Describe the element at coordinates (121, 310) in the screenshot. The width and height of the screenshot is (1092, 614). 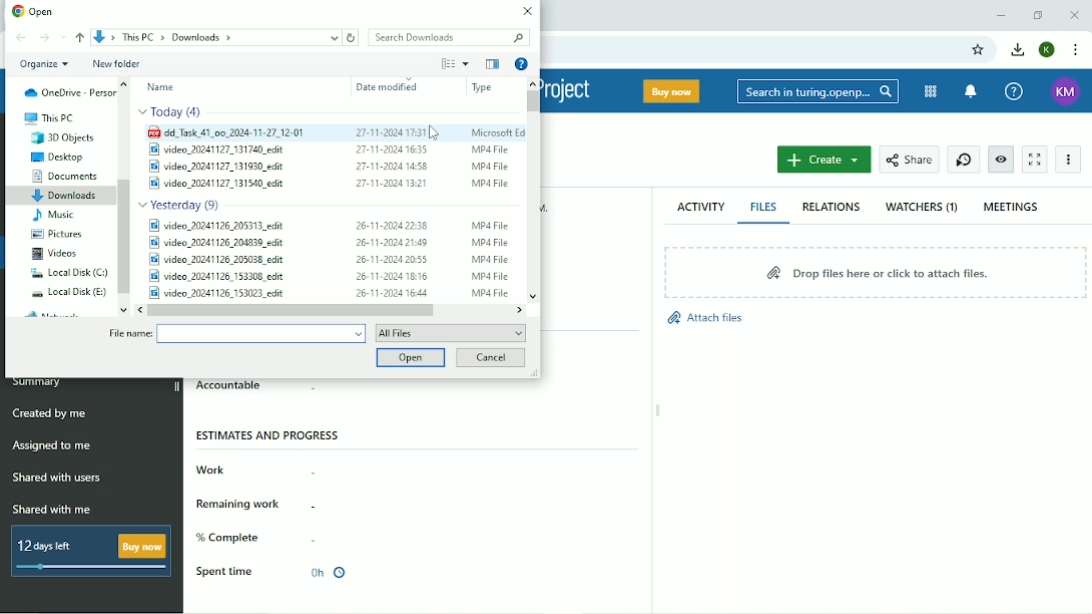
I see `scroll down` at that location.